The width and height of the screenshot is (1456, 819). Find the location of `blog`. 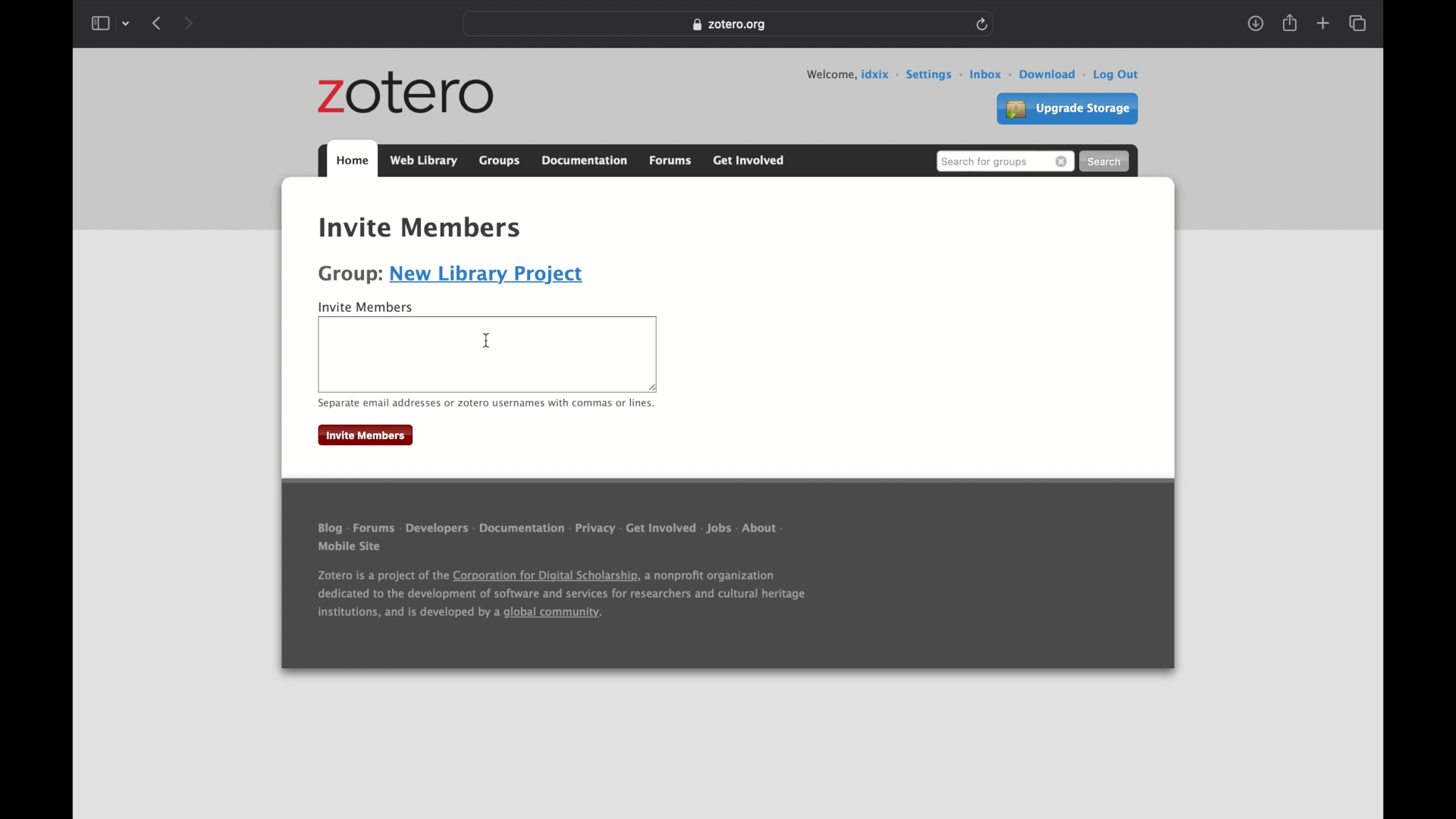

blog is located at coordinates (325, 527).